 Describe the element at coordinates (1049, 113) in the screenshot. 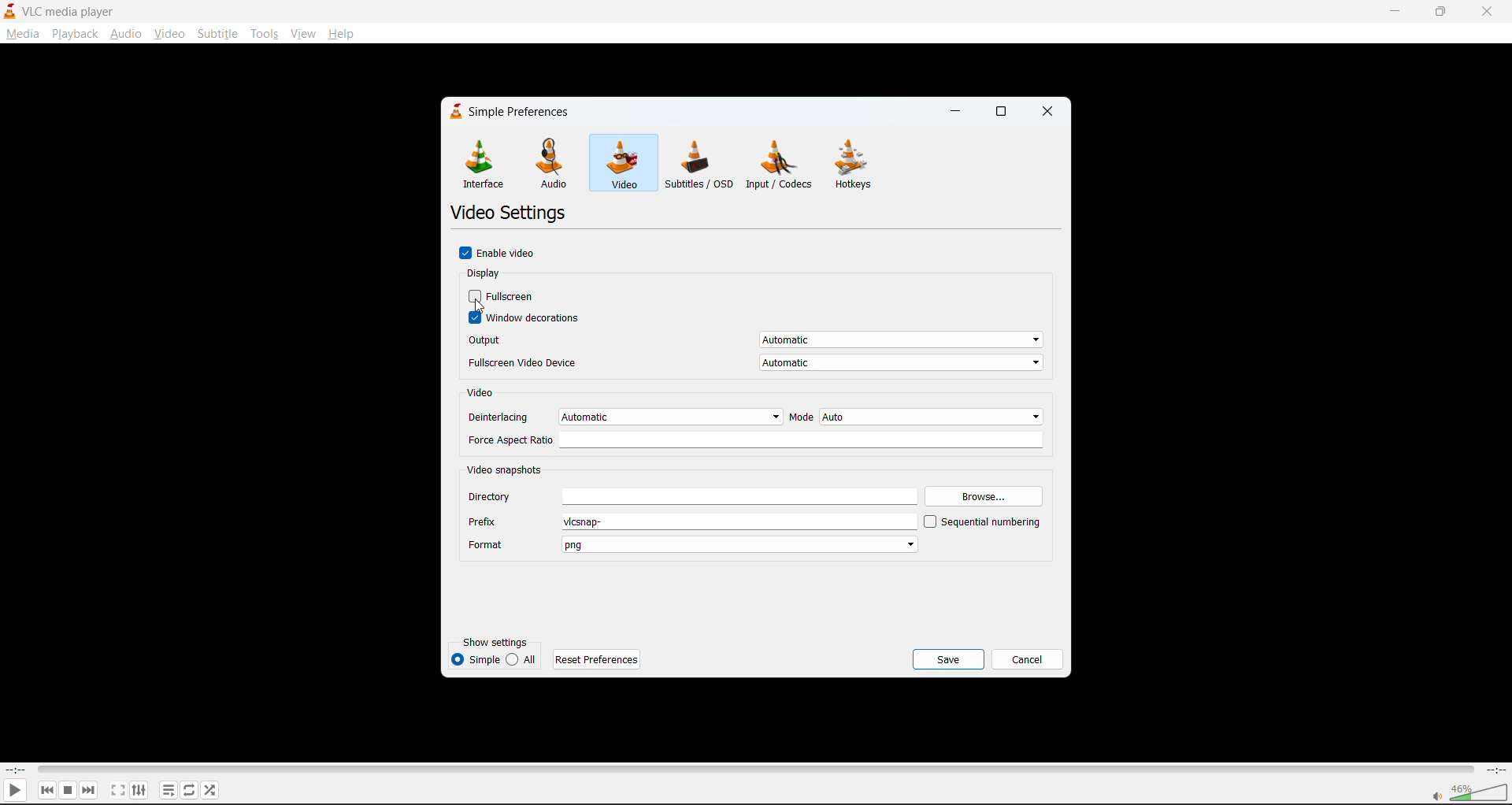

I see `close` at that location.